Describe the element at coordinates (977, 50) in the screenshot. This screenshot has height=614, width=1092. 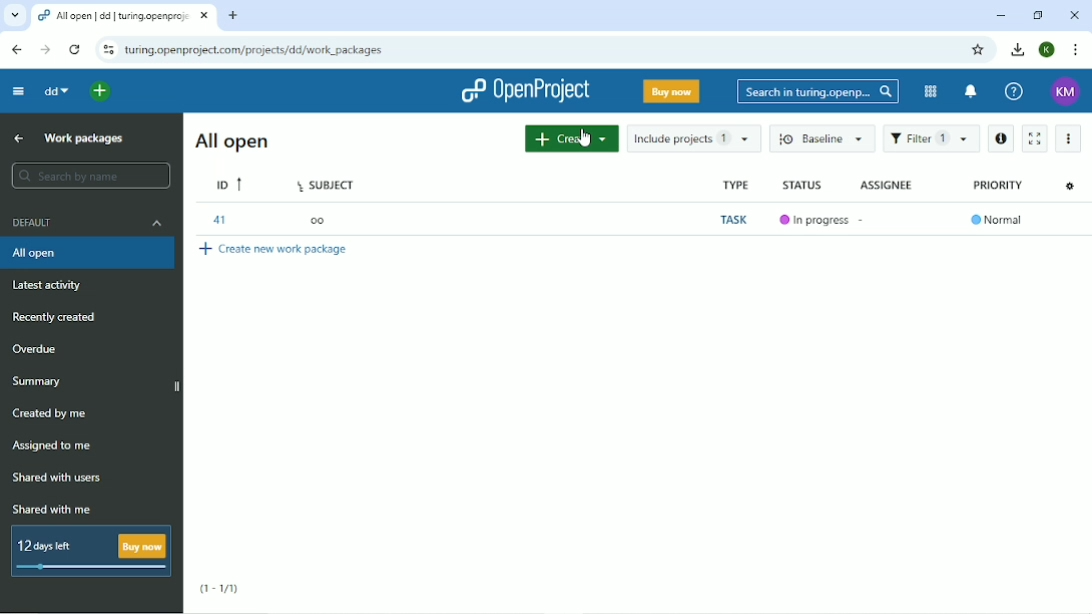
I see `Bookmark this tab` at that location.